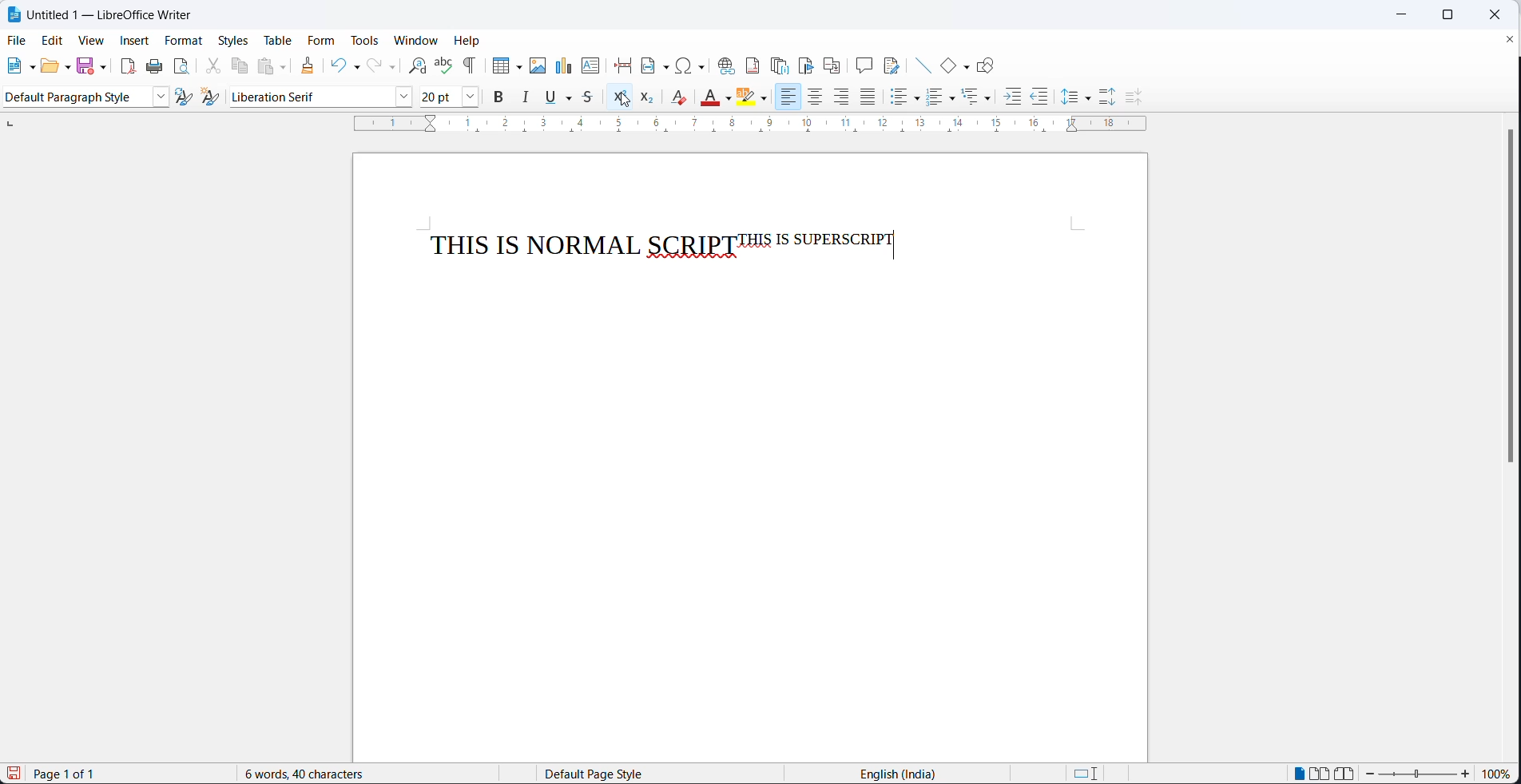 This screenshot has height=784, width=1521. Describe the element at coordinates (183, 66) in the screenshot. I see `print preview` at that location.